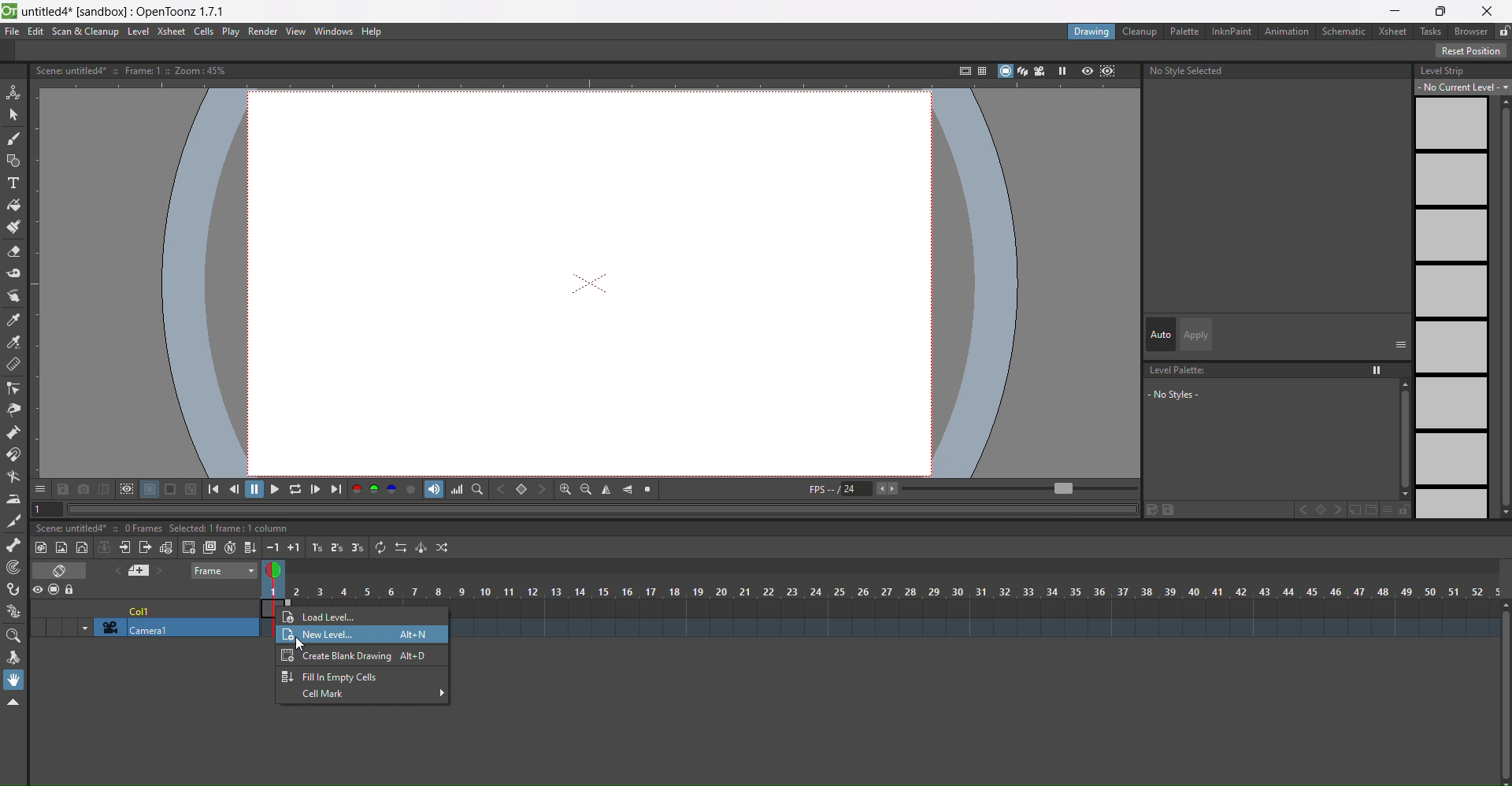 This screenshot has height=786, width=1512. What do you see at coordinates (434, 489) in the screenshot?
I see `soundtrack` at bounding box center [434, 489].